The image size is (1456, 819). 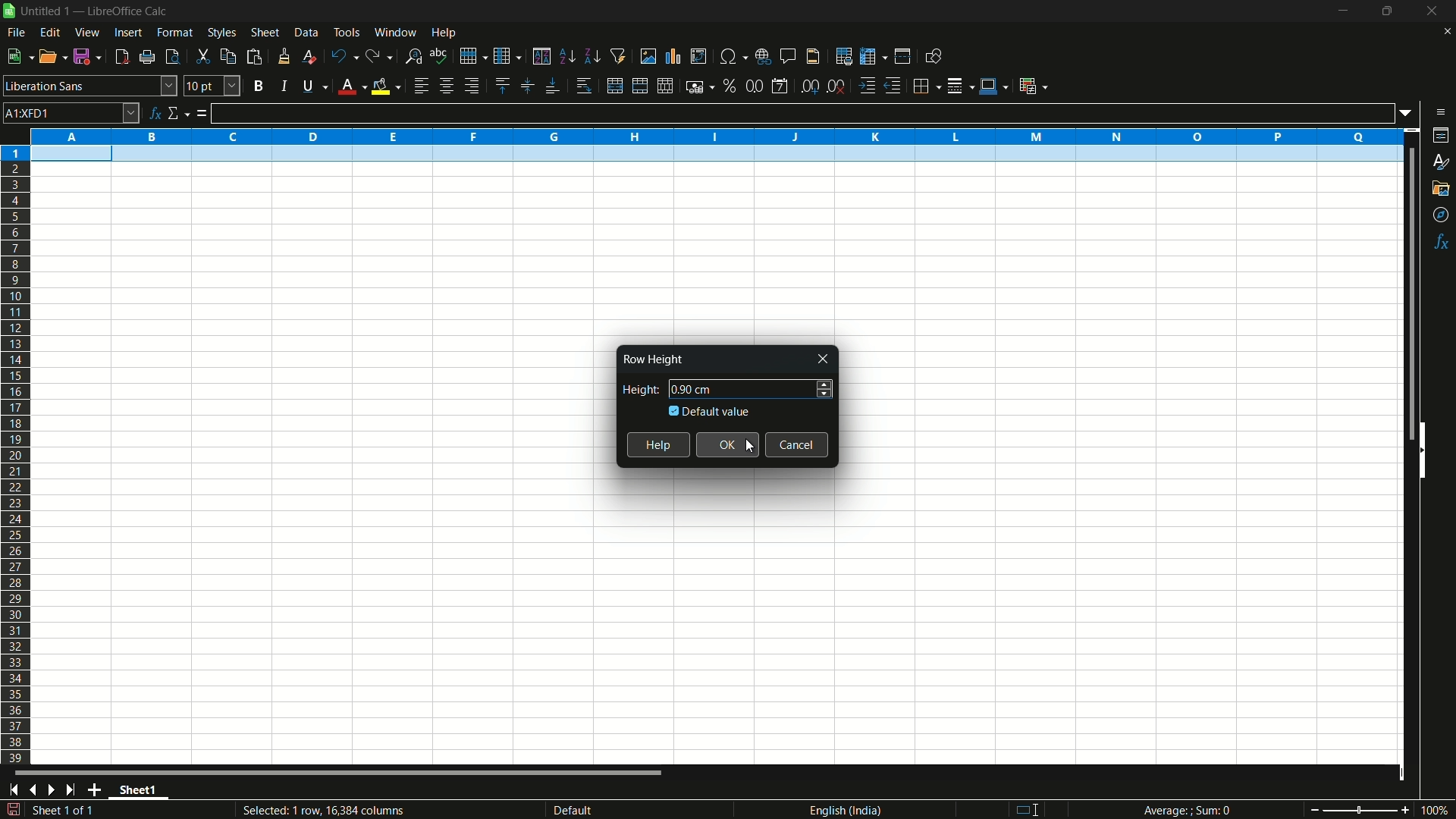 What do you see at coordinates (844, 56) in the screenshot?
I see `print area` at bounding box center [844, 56].